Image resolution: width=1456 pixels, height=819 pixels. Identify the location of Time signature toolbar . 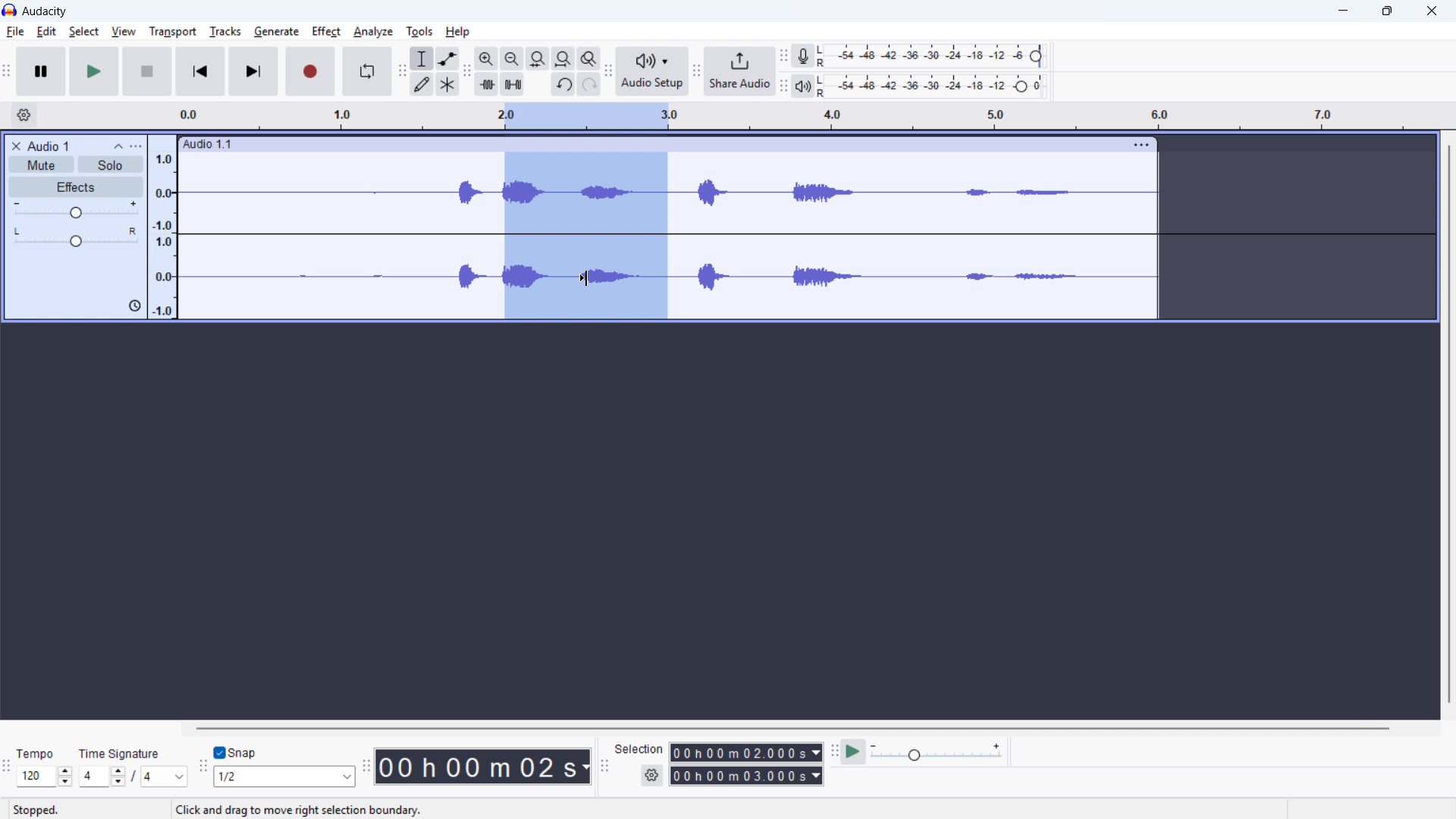
(8, 766).